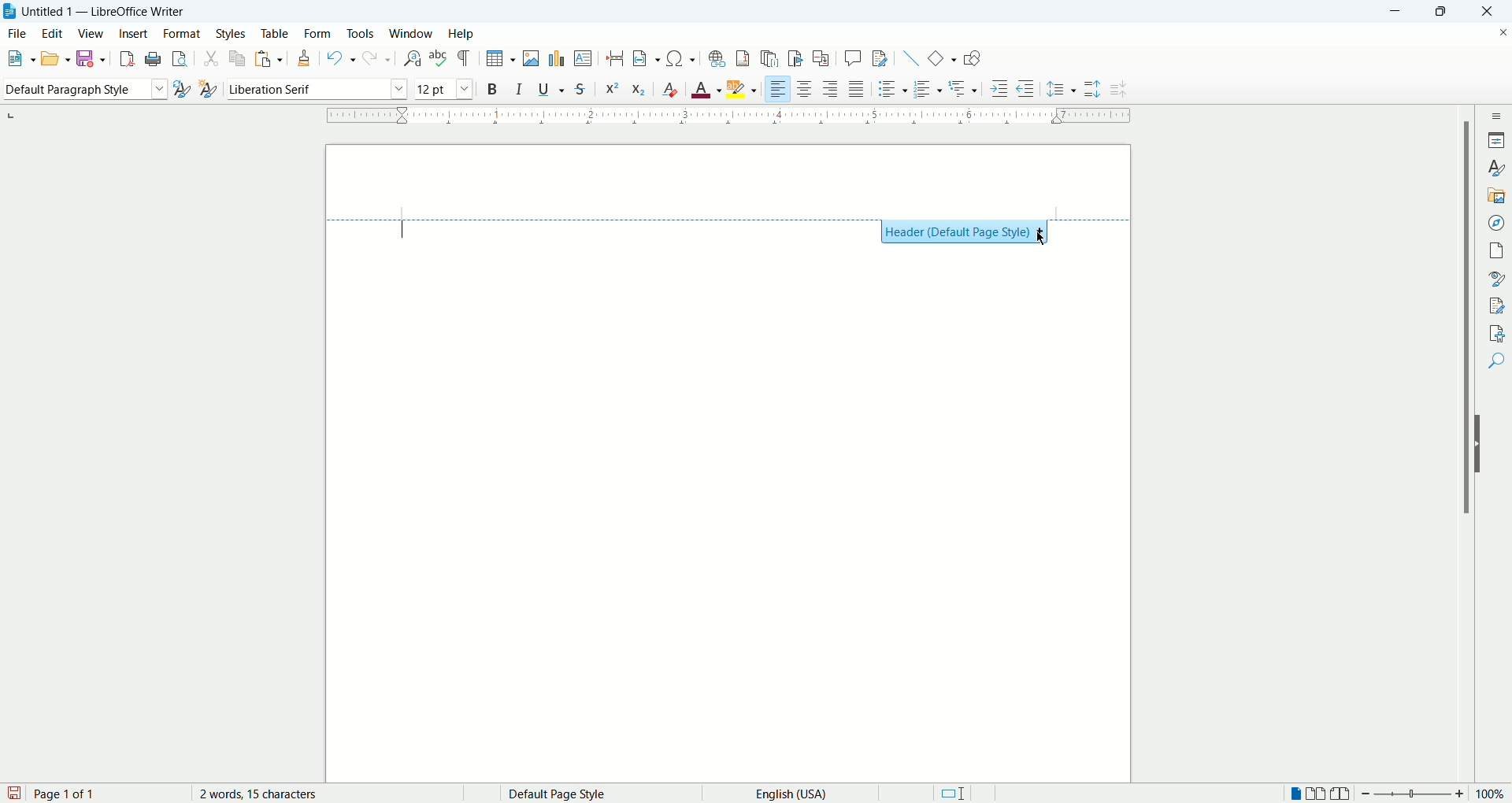 This screenshot has height=803, width=1512. Describe the element at coordinates (313, 90) in the screenshot. I see `font name` at that location.